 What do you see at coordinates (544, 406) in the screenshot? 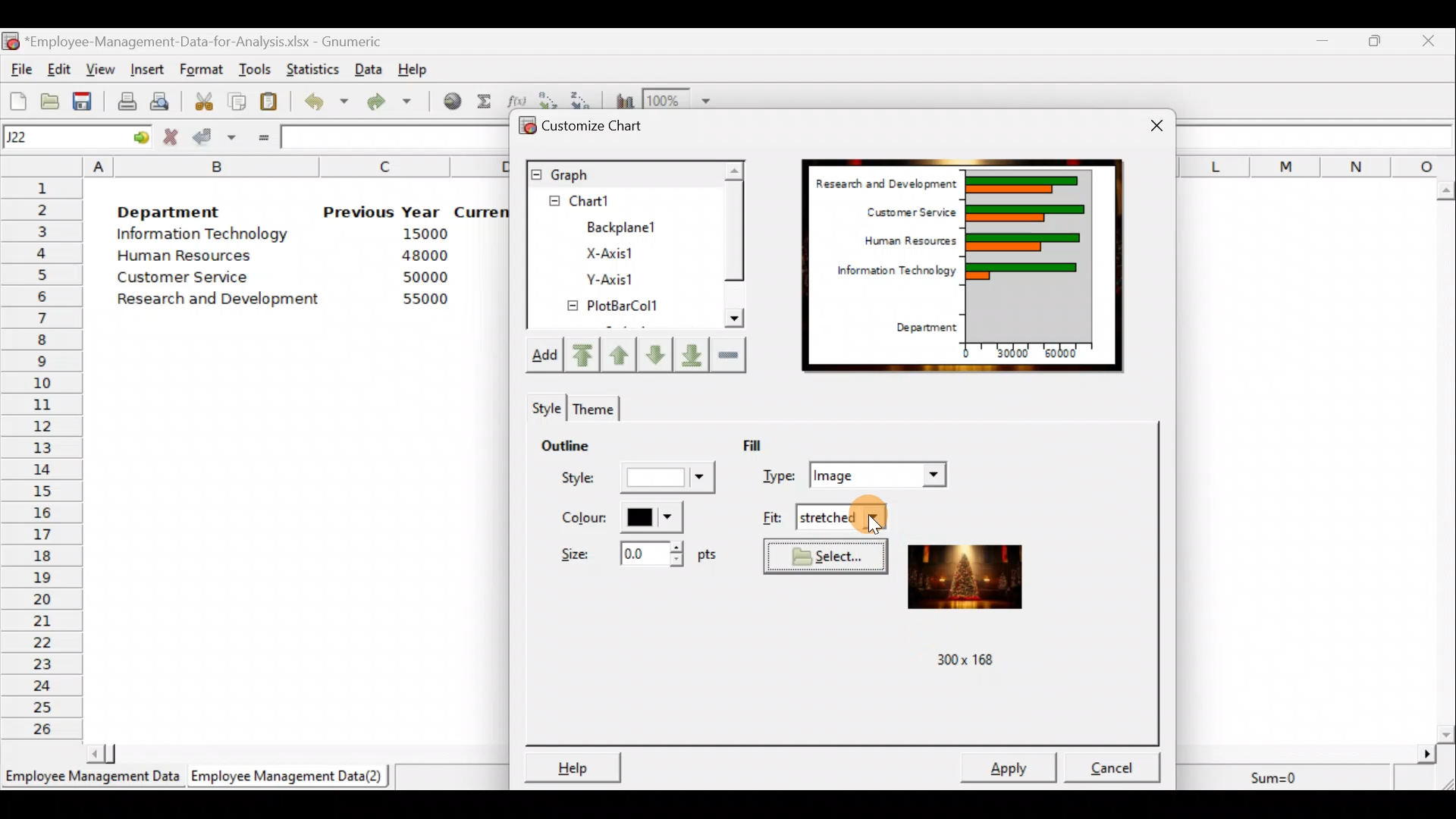
I see `Style` at bounding box center [544, 406].